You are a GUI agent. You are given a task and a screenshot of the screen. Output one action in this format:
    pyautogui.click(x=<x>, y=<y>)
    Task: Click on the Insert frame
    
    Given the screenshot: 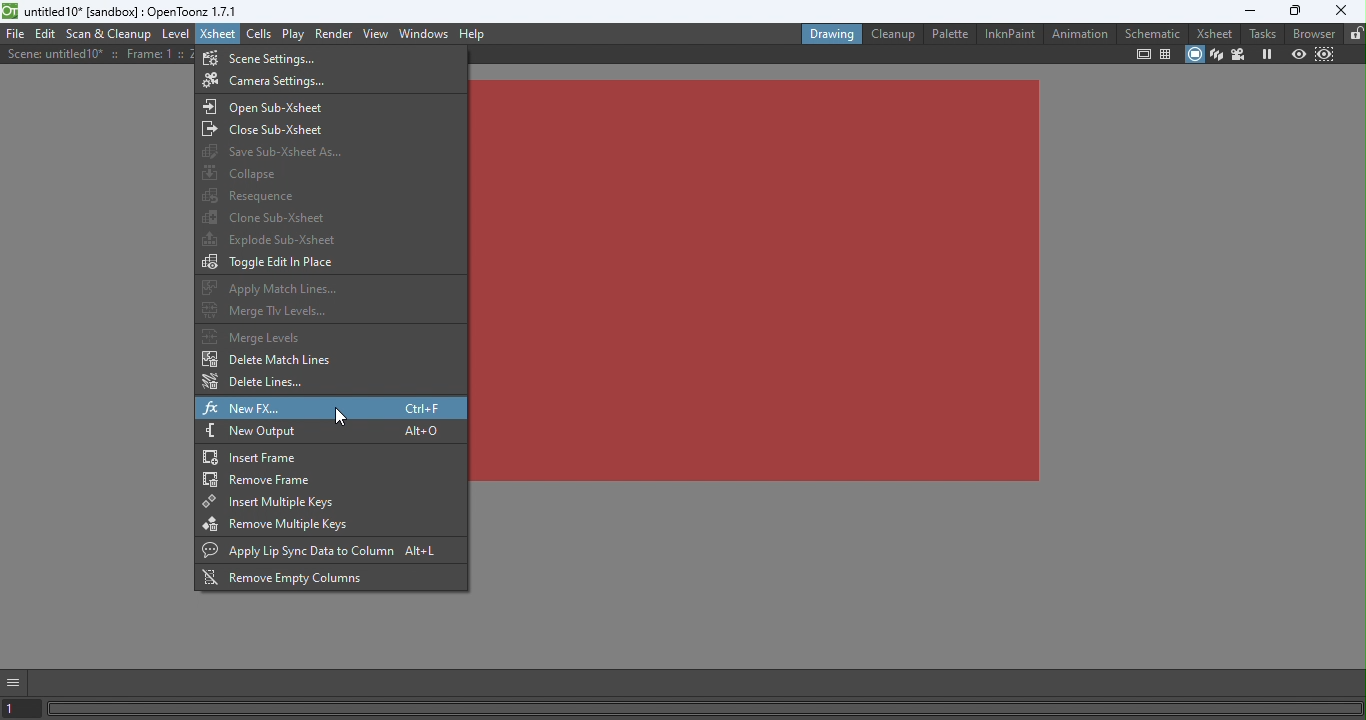 What is the action you would take?
    pyautogui.click(x=330, y=455)
    